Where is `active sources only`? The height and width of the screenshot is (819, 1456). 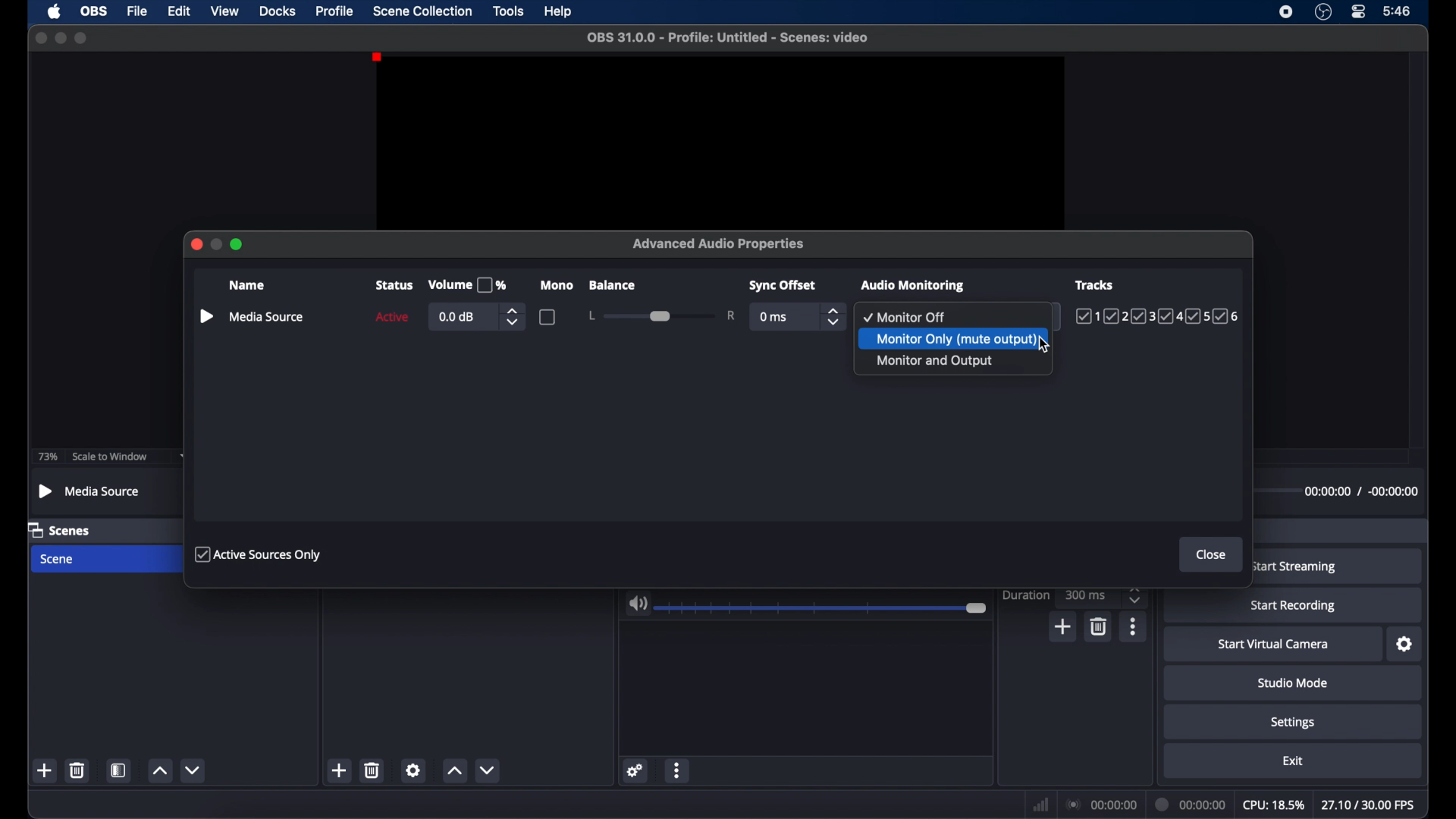 active sources only is located at coordinates (259, 554).